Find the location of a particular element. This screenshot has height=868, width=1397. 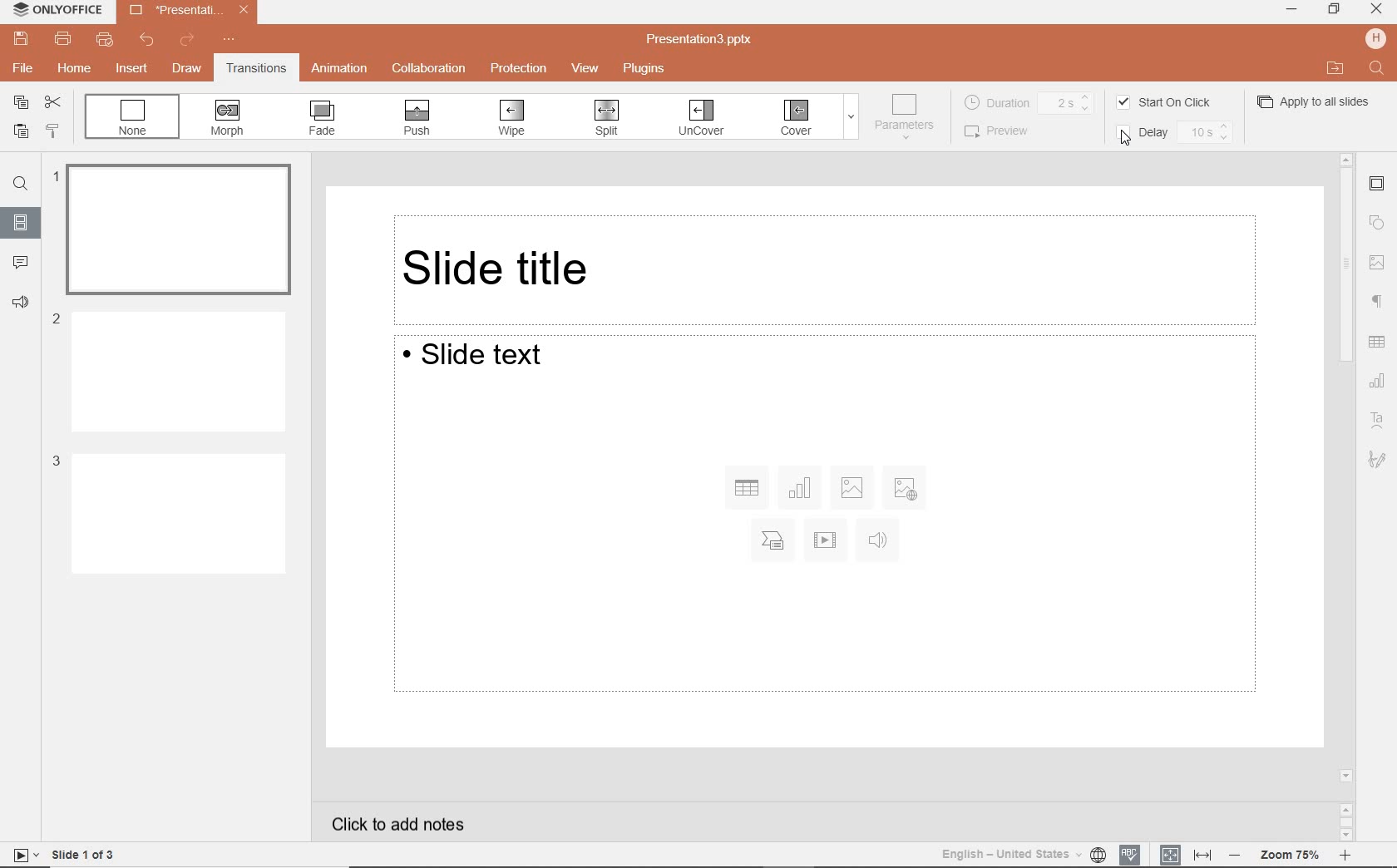

Slide 3 is located at coordinates (168, 512).